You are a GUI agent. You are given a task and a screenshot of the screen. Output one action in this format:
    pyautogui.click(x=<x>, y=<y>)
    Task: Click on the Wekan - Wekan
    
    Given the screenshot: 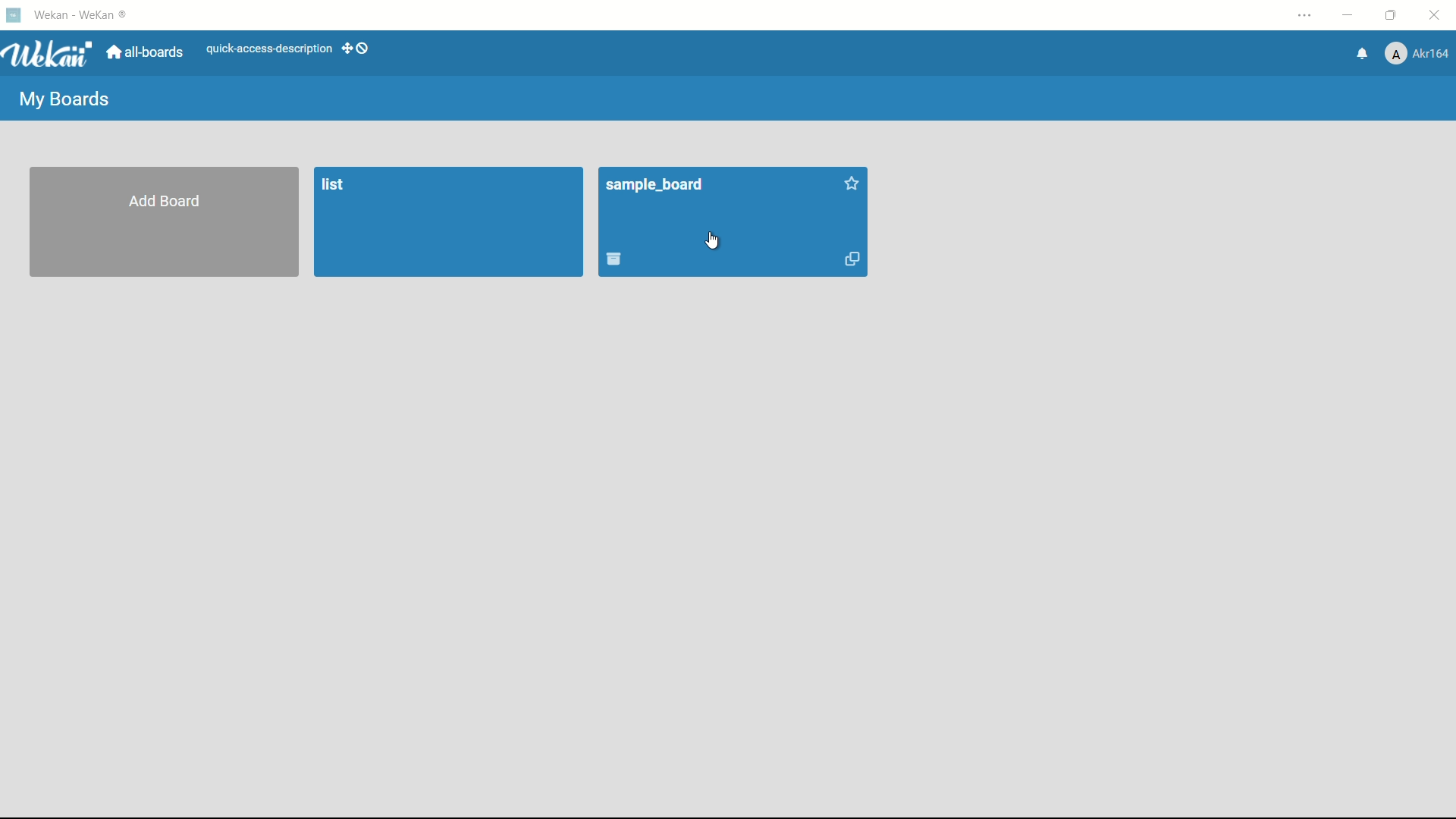 What is the action you would take?
    pyautogui.click(x=83, y=17)
    